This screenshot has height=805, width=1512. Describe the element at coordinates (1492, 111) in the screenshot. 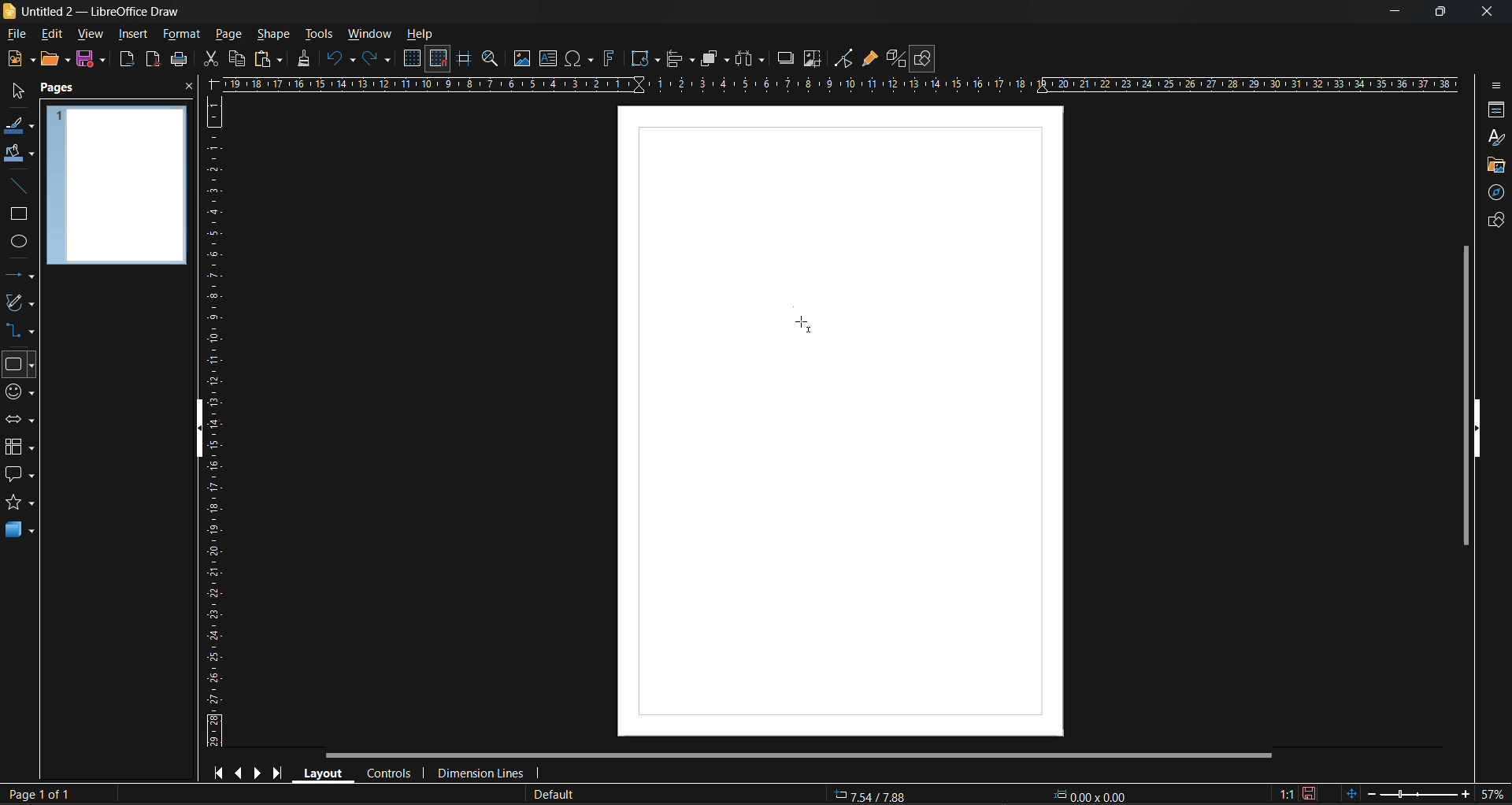

I see `properties` at that location.